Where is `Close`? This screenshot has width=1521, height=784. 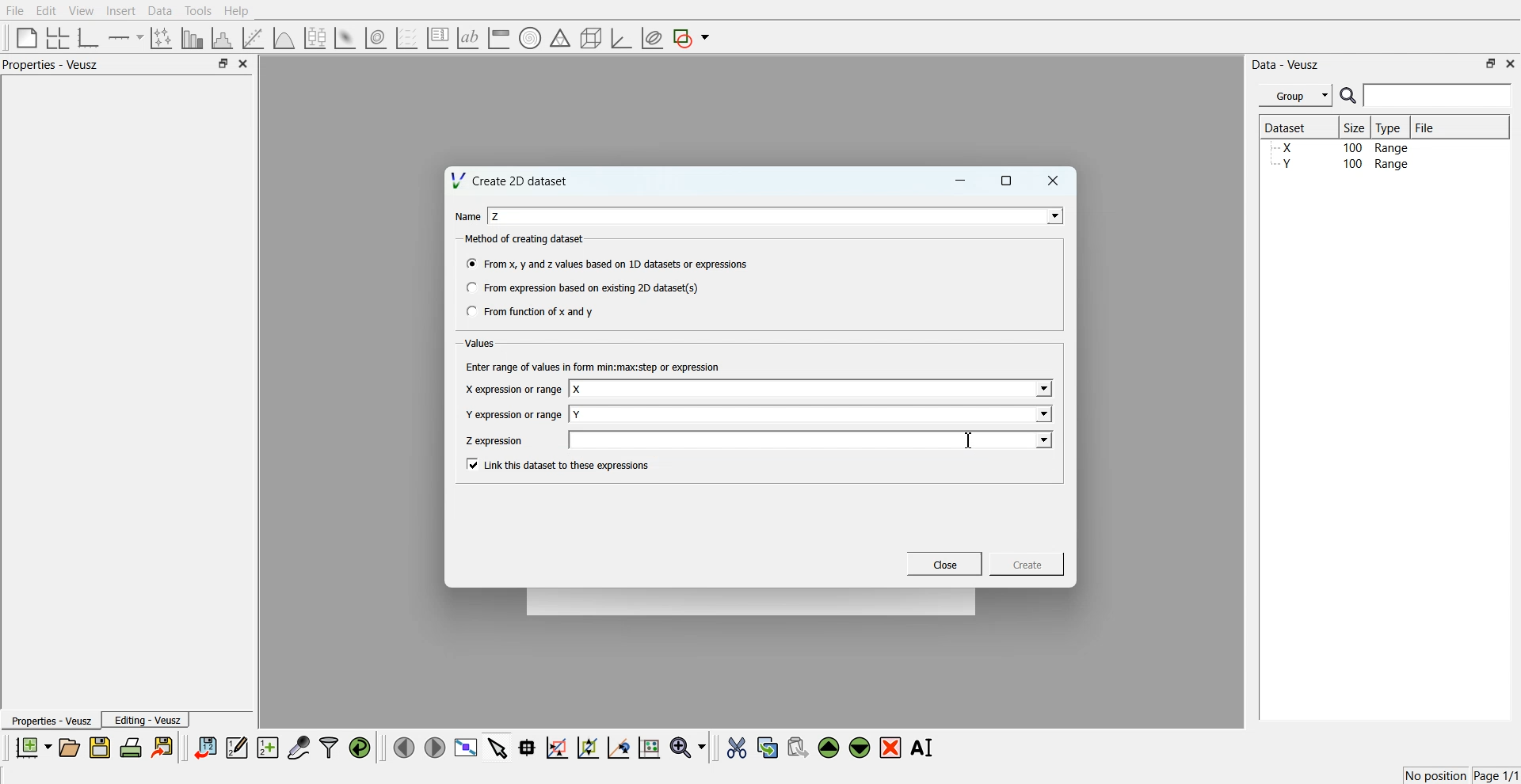 Close is located at coordinates (244, 63).